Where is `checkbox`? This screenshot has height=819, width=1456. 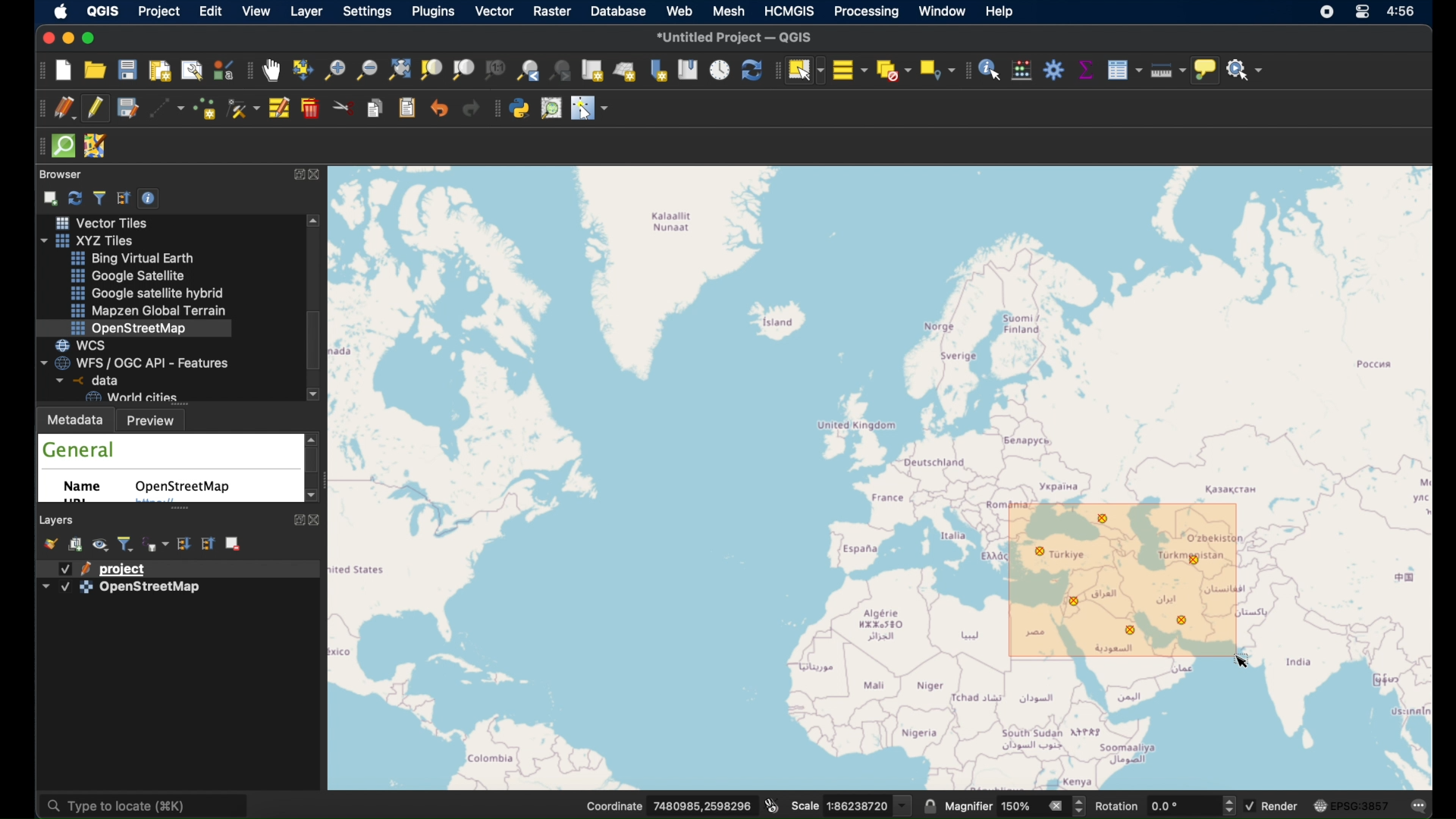 checkbox is located at coordinates (1250, 806).